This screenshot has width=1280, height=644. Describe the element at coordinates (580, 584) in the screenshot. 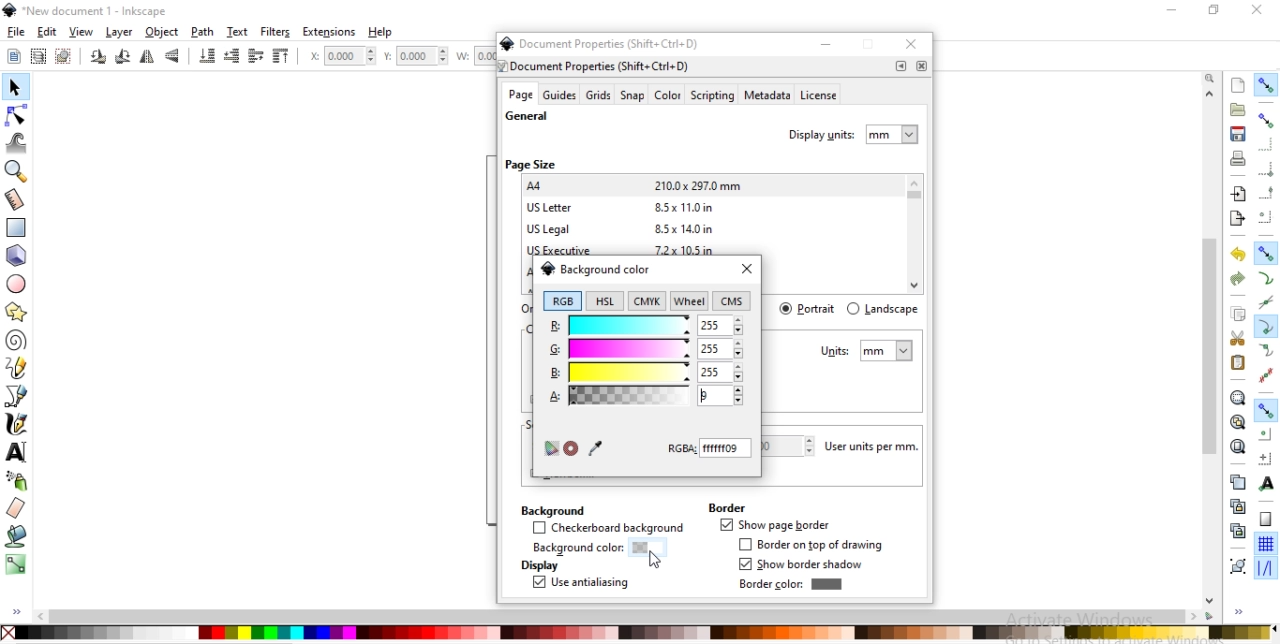

I see `use antiliasing` at that location.